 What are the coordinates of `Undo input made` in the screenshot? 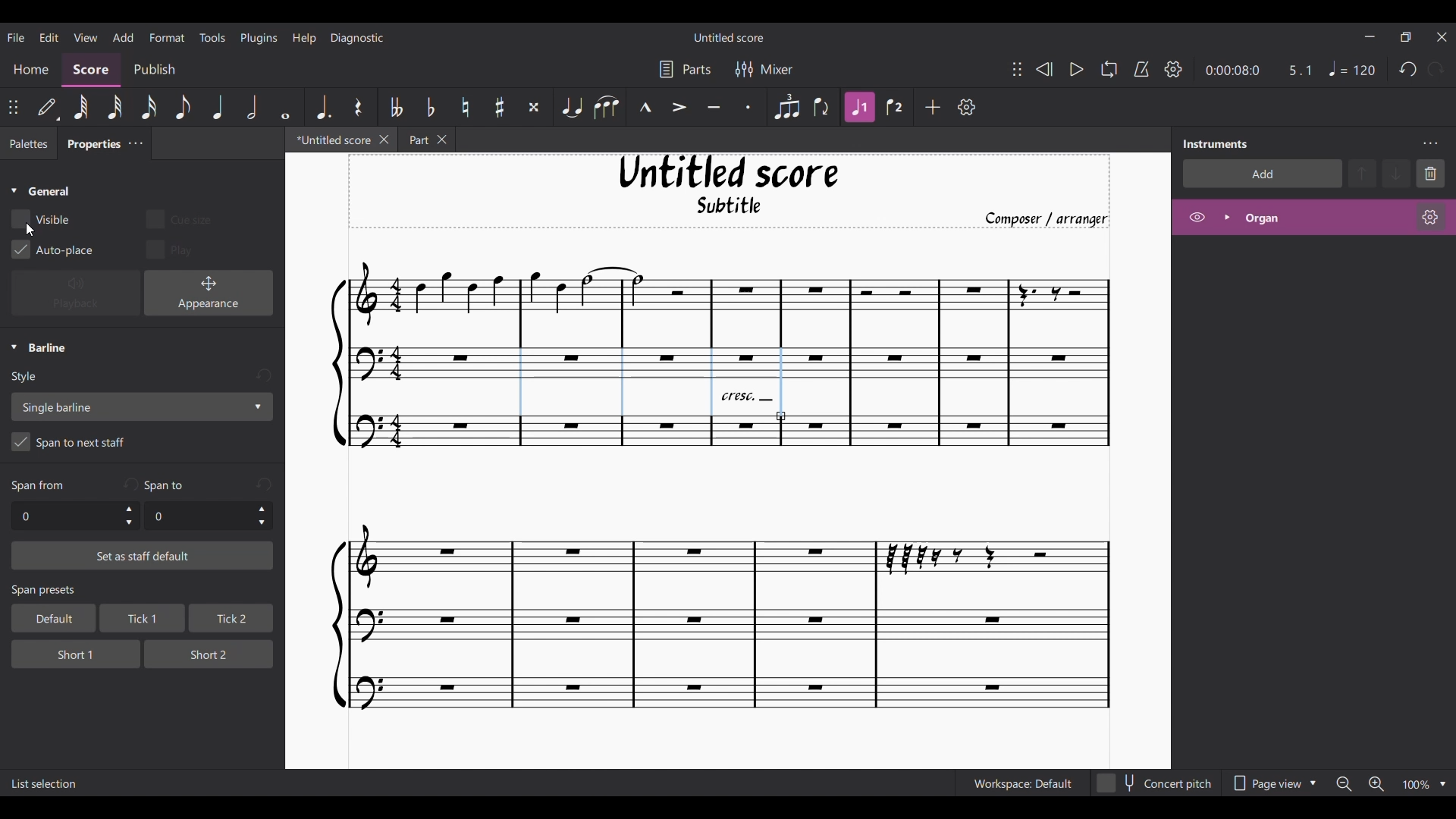 It's located at (264, 484).